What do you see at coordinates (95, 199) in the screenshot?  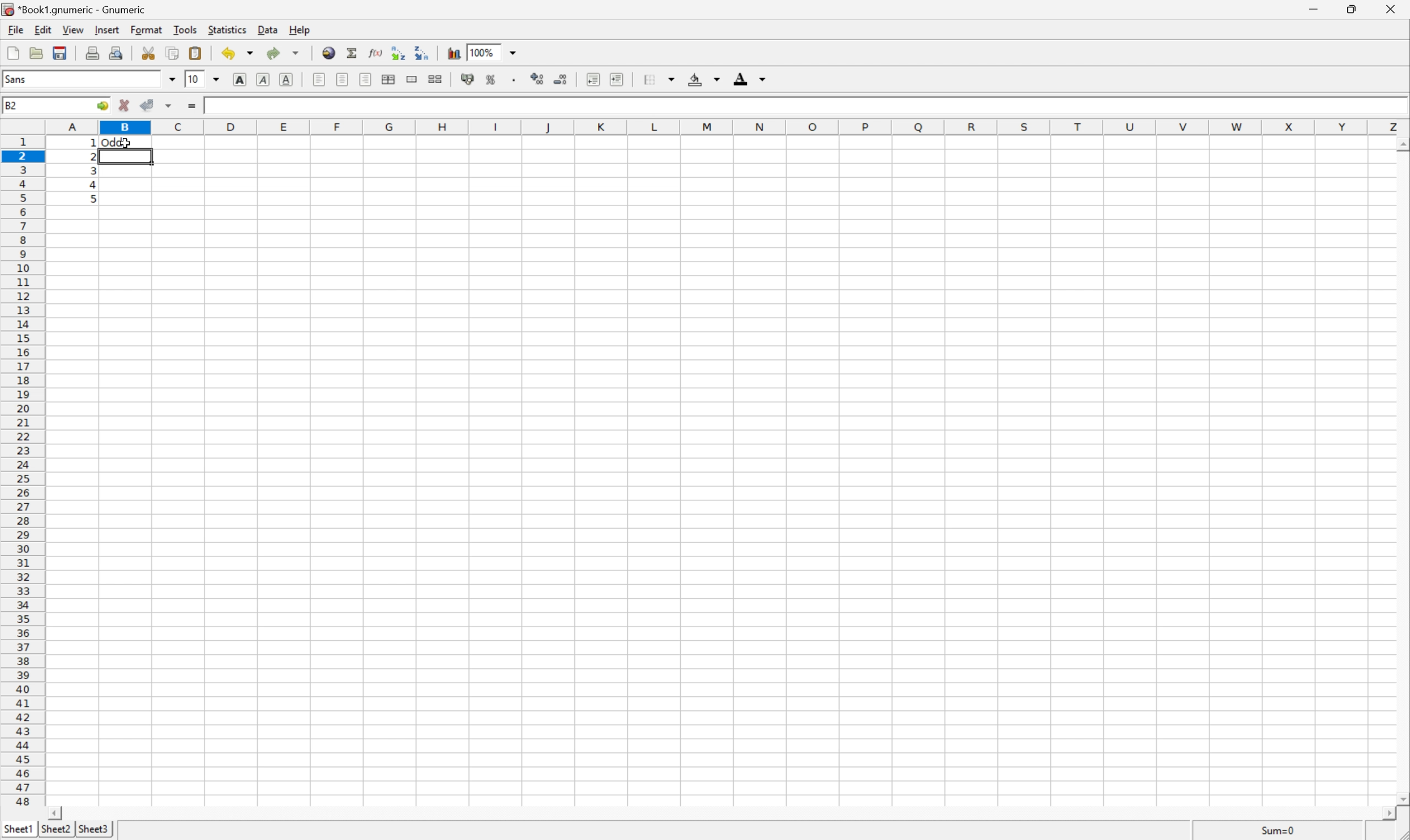 I see `5` at bounding box center [95, 199].